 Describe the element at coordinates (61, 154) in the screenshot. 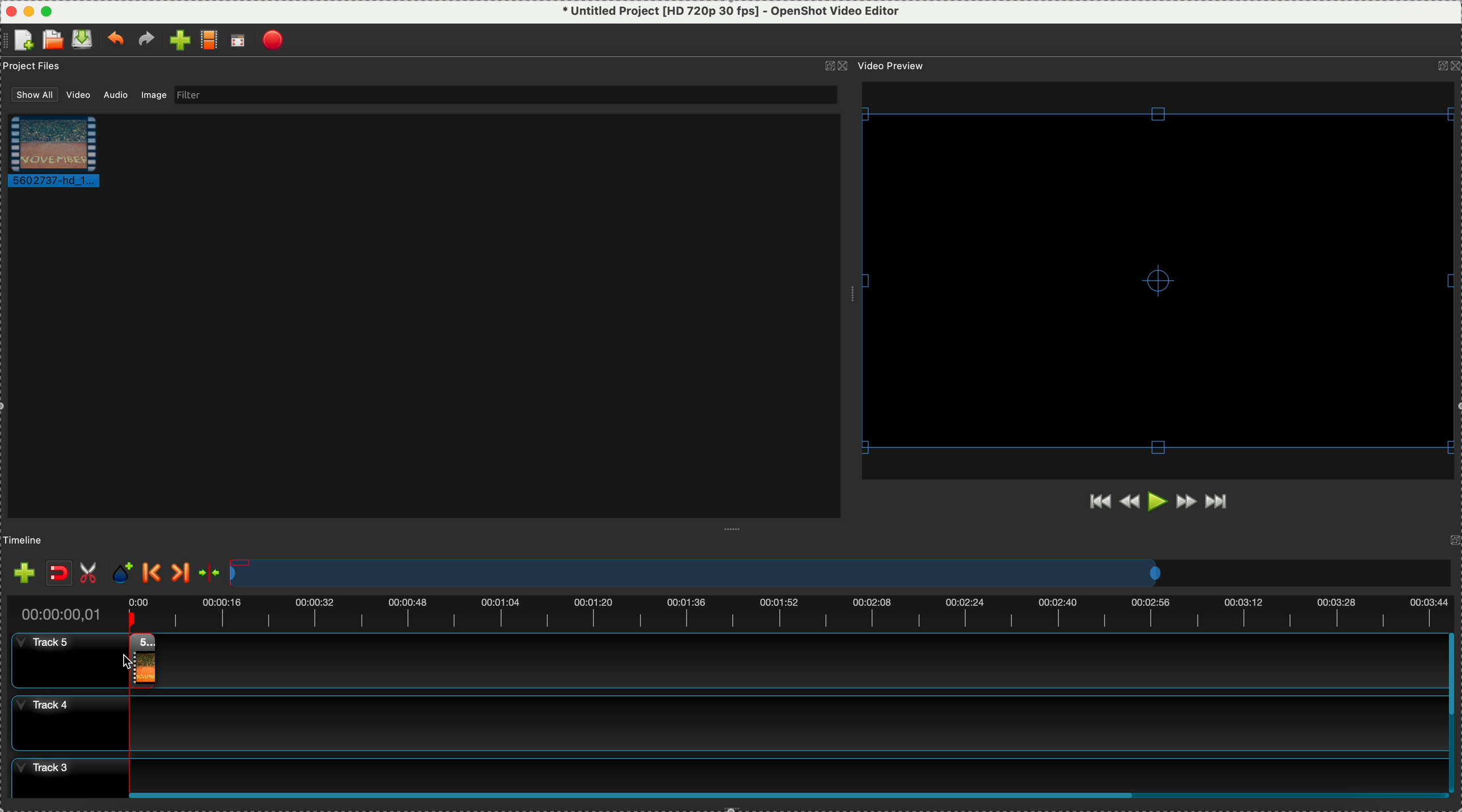

I see `video` at that location.